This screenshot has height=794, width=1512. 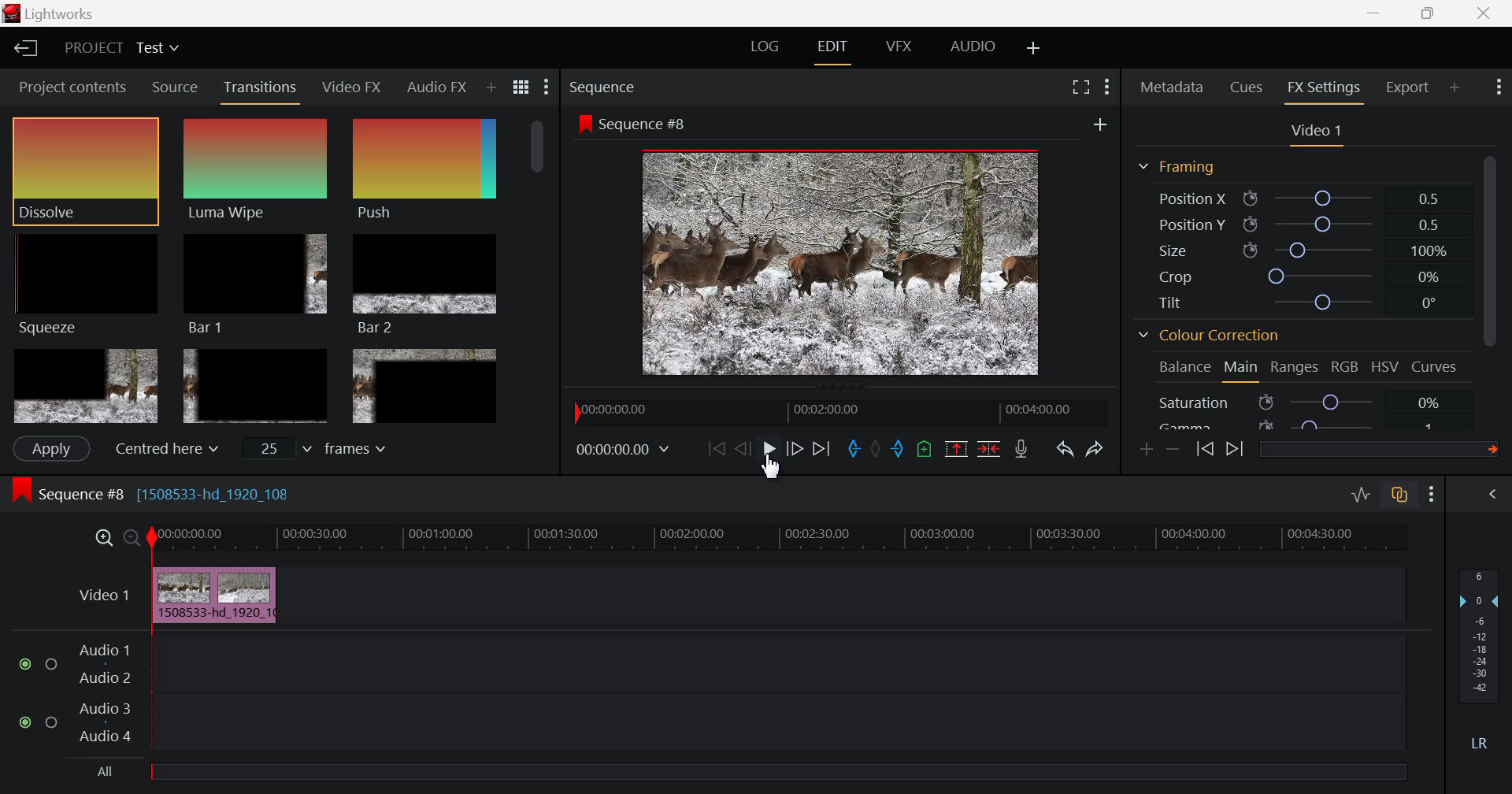 What do you see at coordinates (1206, 451) in the screenshot?
I see `Previous keyframe` at bounding box center [1206, 451].